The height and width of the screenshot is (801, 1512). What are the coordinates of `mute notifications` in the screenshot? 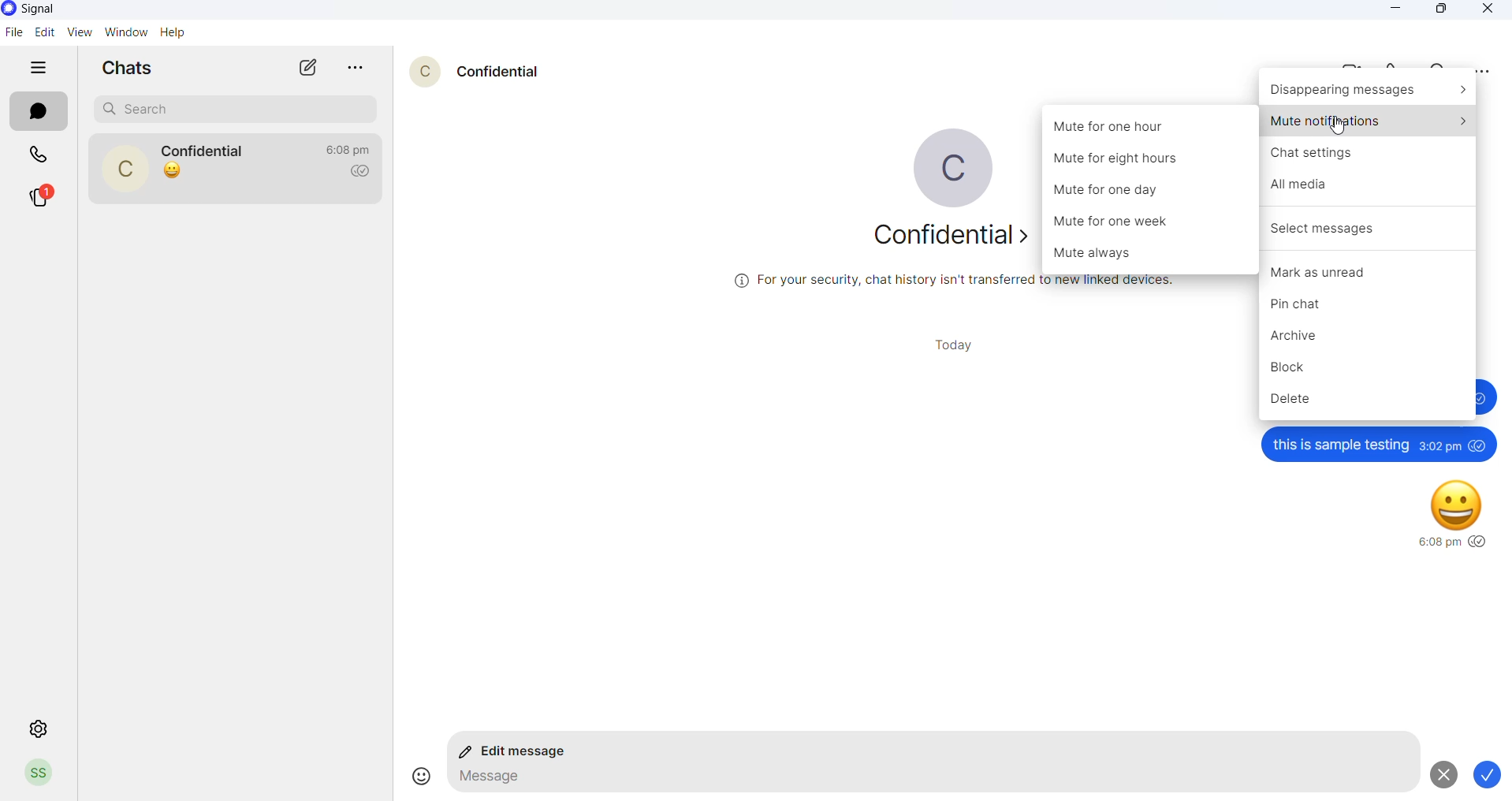 It's located at (1369, 120).